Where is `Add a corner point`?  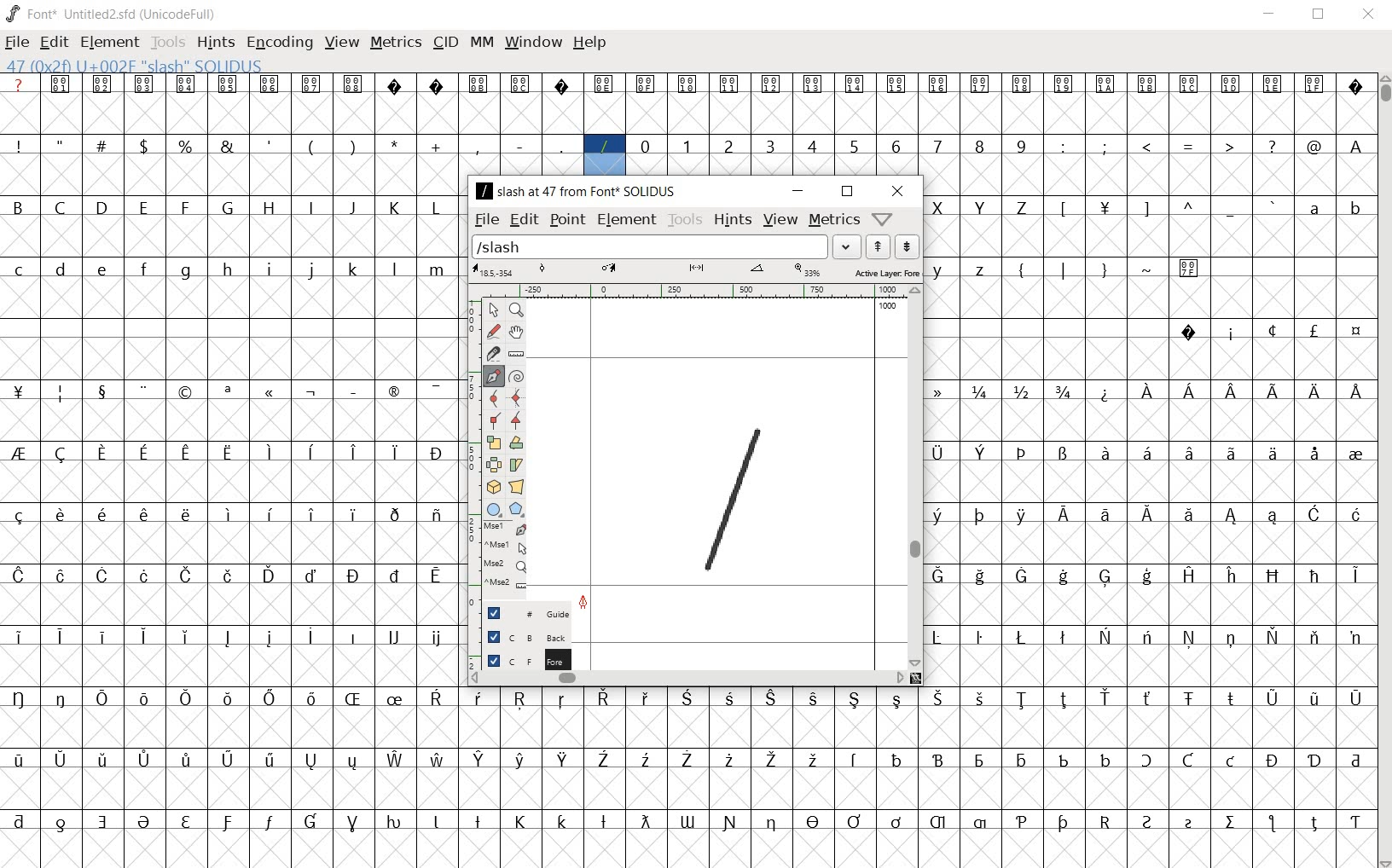 Add a corner point is located at coordinates (491, 420).